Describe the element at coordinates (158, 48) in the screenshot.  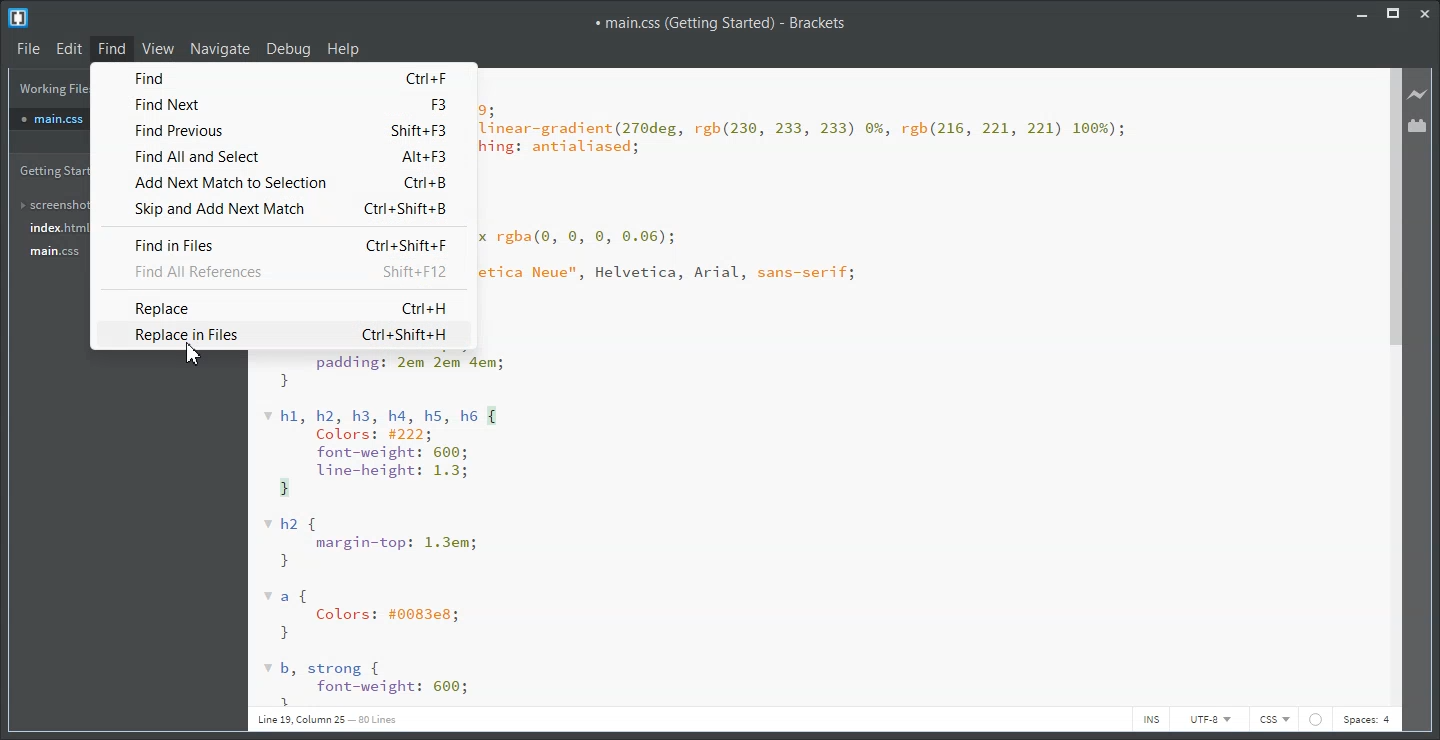
I see `View` at that location.